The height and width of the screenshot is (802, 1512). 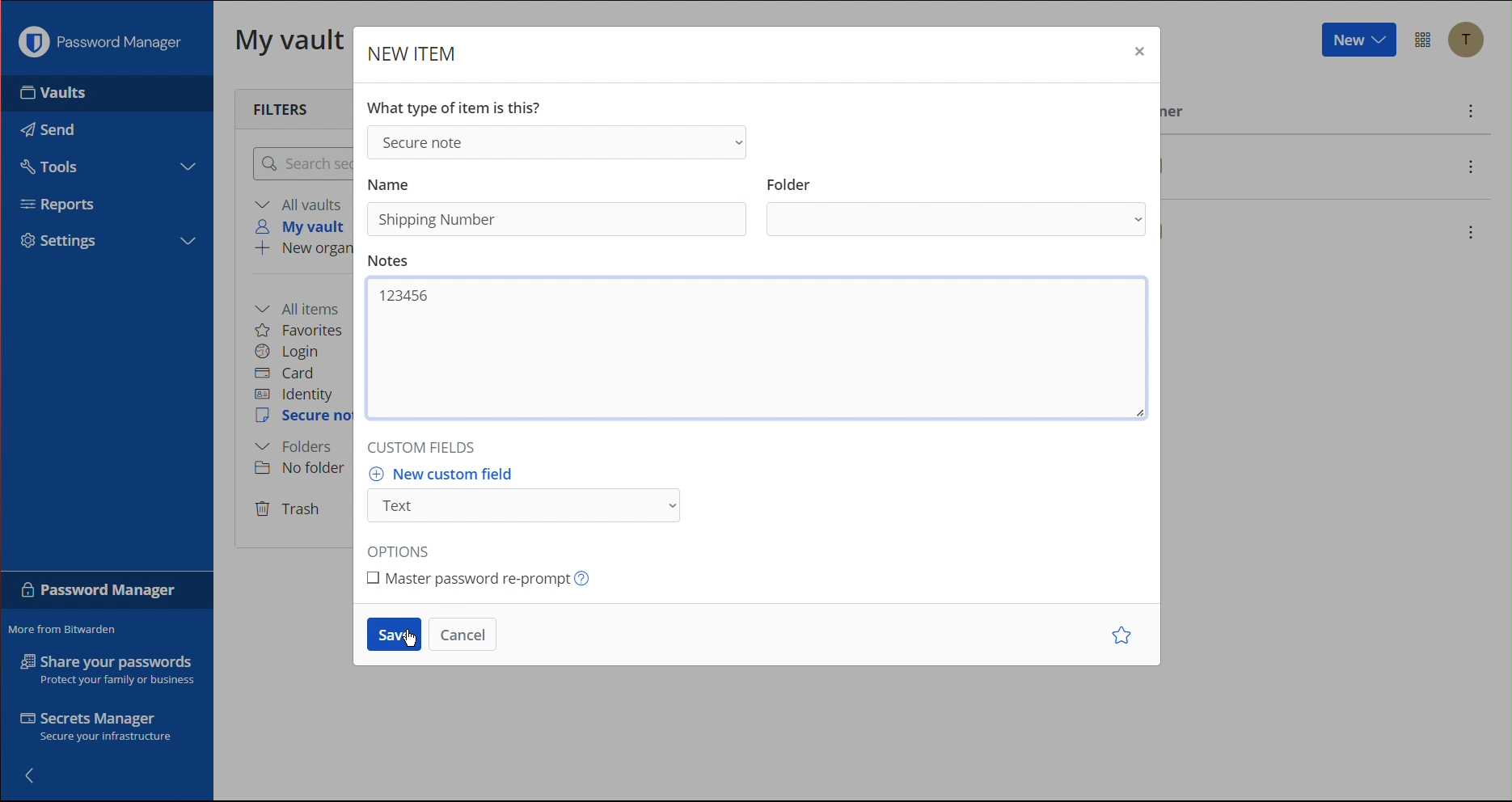 I want to click on What type of item is this?, so click(x=458, y=105).